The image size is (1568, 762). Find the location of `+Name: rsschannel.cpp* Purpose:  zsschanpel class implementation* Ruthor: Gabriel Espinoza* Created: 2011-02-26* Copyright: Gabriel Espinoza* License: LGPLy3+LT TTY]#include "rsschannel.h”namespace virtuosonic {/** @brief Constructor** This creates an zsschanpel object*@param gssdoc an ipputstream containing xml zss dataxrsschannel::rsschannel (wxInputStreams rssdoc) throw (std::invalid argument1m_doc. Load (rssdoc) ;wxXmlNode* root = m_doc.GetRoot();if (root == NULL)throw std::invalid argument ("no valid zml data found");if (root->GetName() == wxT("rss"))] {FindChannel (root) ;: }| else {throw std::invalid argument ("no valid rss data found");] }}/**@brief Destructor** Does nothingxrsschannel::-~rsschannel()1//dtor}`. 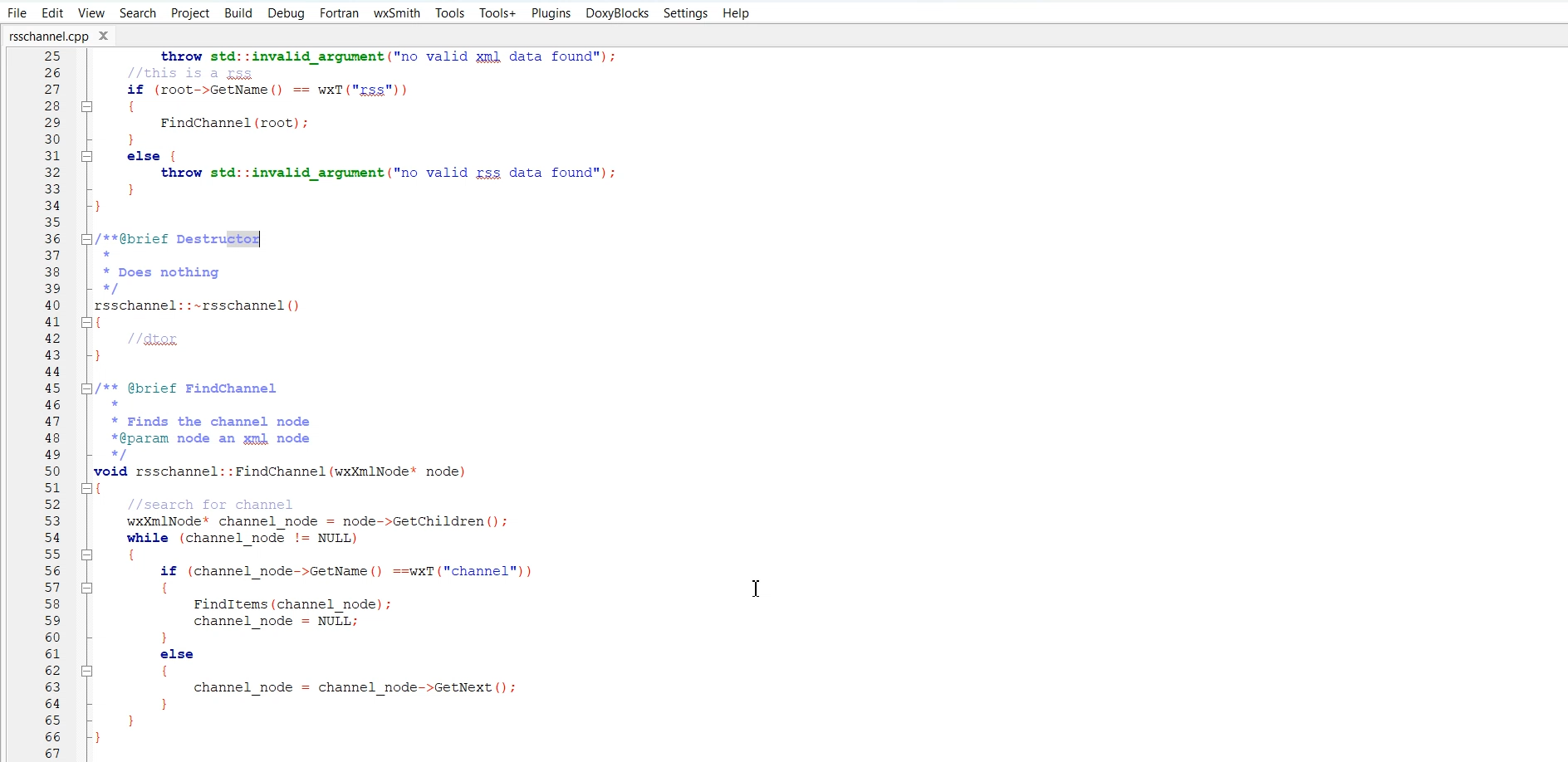

+Name: rsschannel.cpp* Purpose:  zsschanpel class implementation* Ruthor: Gabriel Espinoza* Created: 2011-02-26* Copyright: Gabriel Espinoza* License: LGPLy3+LT TTY]#include "rsschannel.h”namespace virtuosonic {/** @brief Constructor** This creates an zsschanpel object*@param gssdoc an ipputstream containing xml zss dataxrsschannel::rsschannel (wxInputStreams rssdoc) throw (std::invalid argument1m_doc. Load (rssdoc) ;wxXmlNode* root = m_doc.GetRoot();if (root == NULL)throw std::invalid argument ("no valid zml data found");if (root->GetName() == wxT("rss"))] {FindChannel (root) ;: }| else {throw std::invalid argument ("no valid rss data found");] }}/**@brief Destructor** Does nothingxrsschannel::-~rsschannel()1//dtor} is located at coordinates (385, 398).